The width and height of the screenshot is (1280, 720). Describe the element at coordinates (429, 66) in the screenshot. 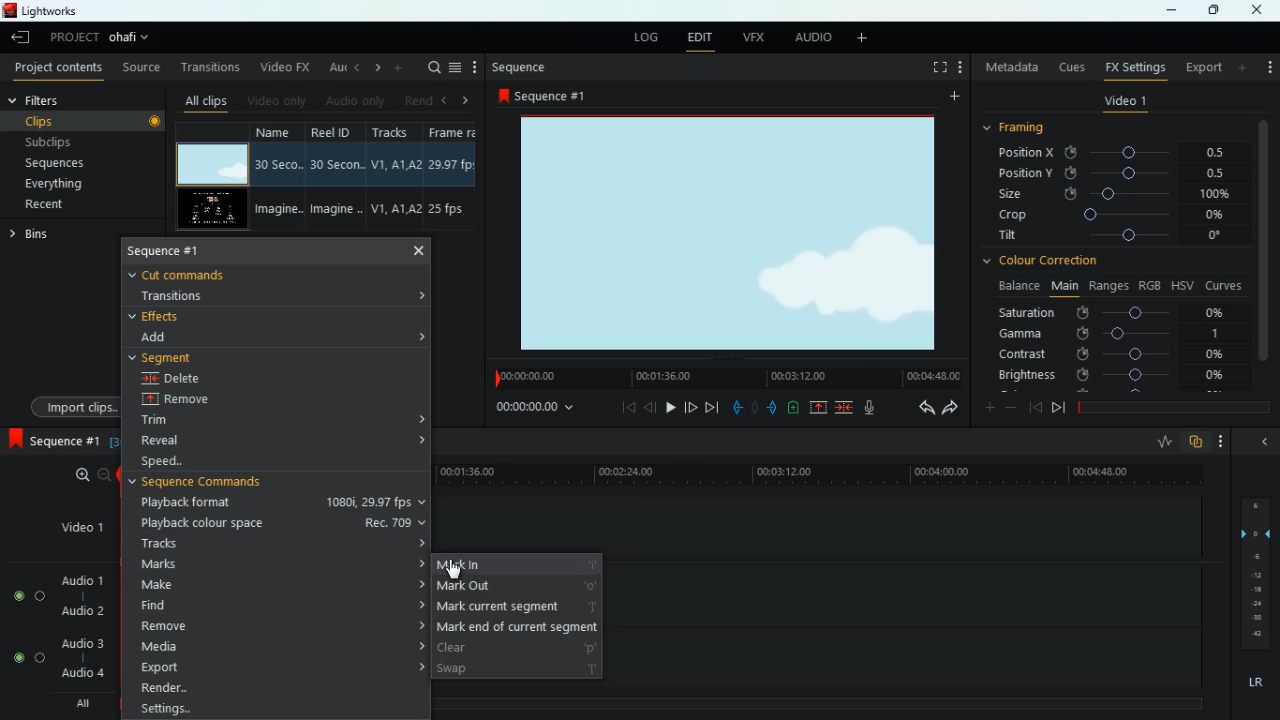

I see `search` at that location.